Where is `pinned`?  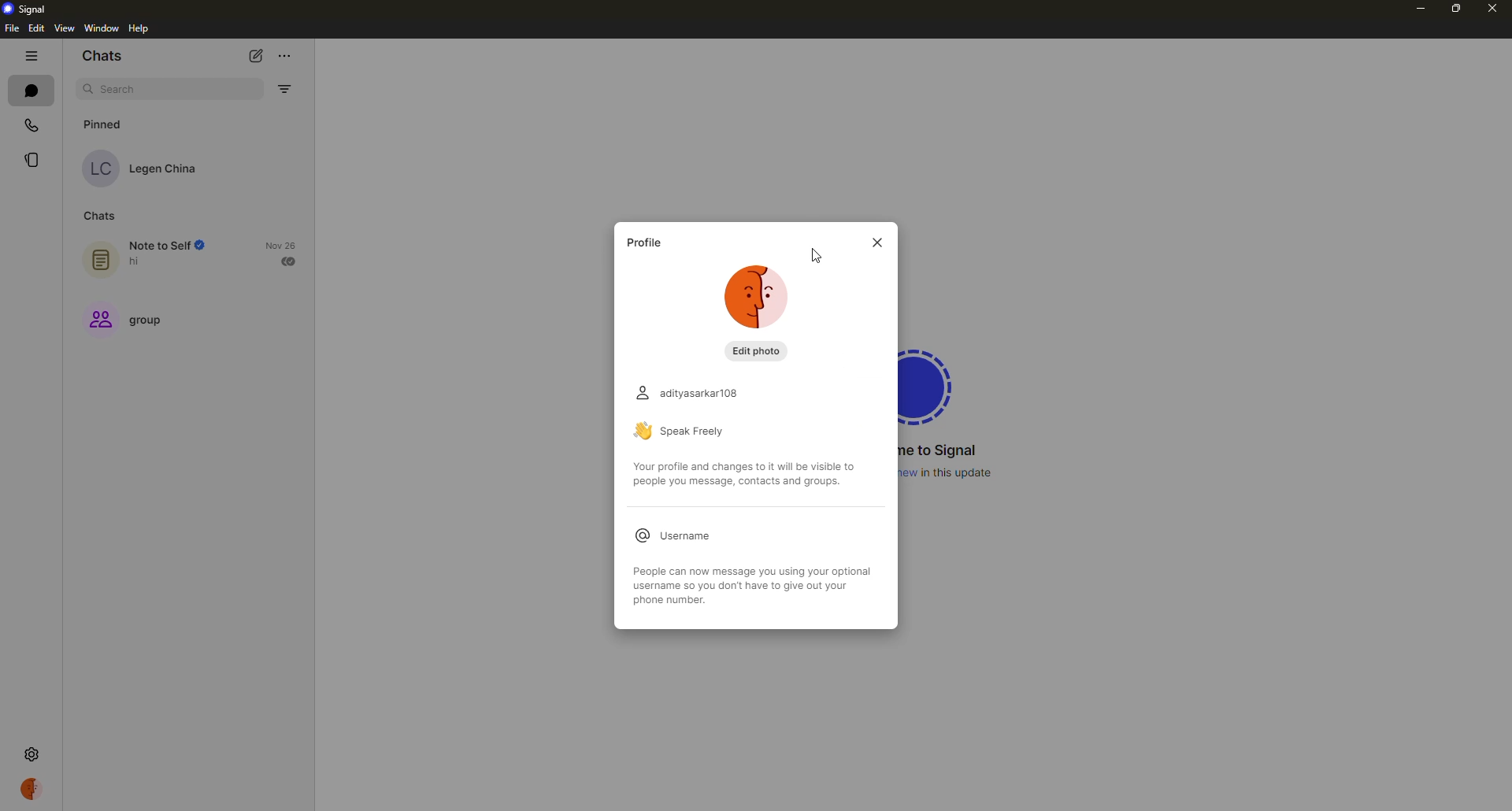
pinned is located at coordinates (107, 124).